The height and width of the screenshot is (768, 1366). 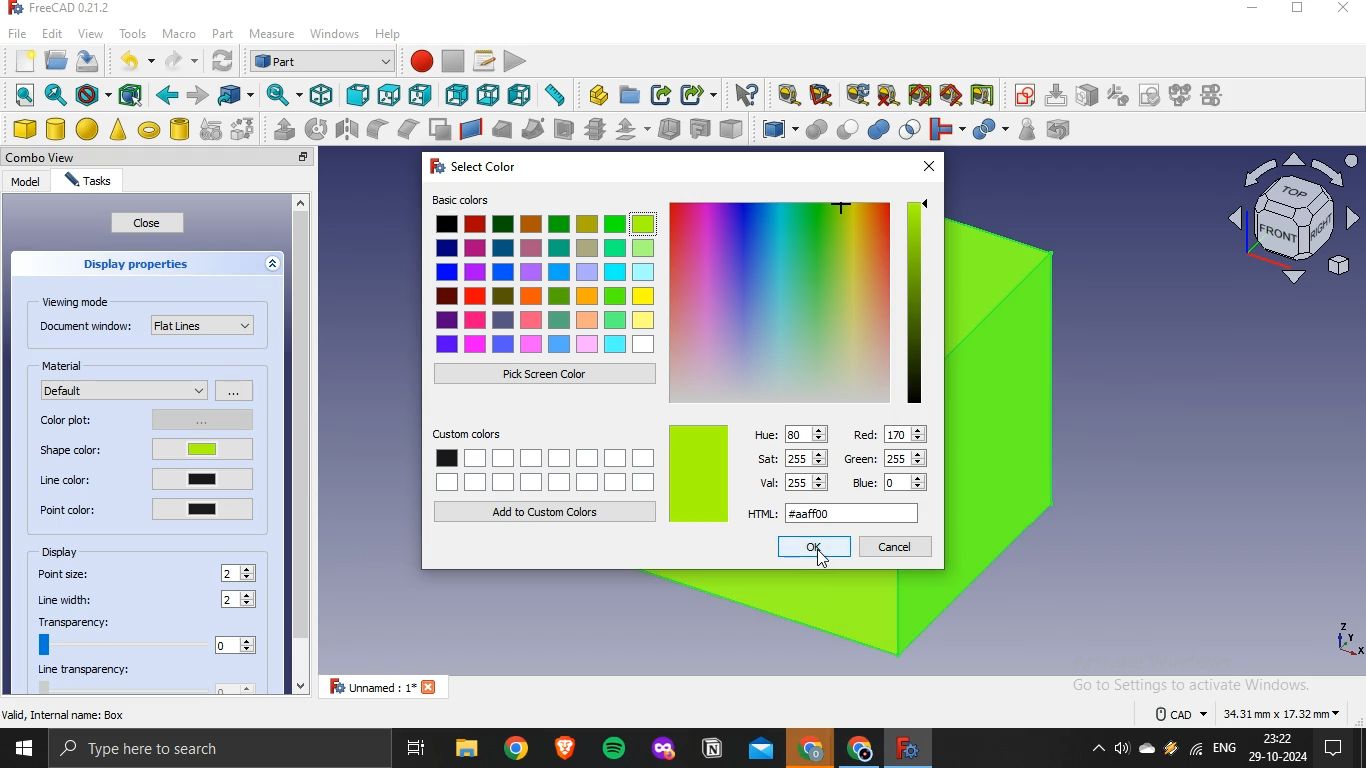 I want to click on make face from wires, so click(x=439, y=129).